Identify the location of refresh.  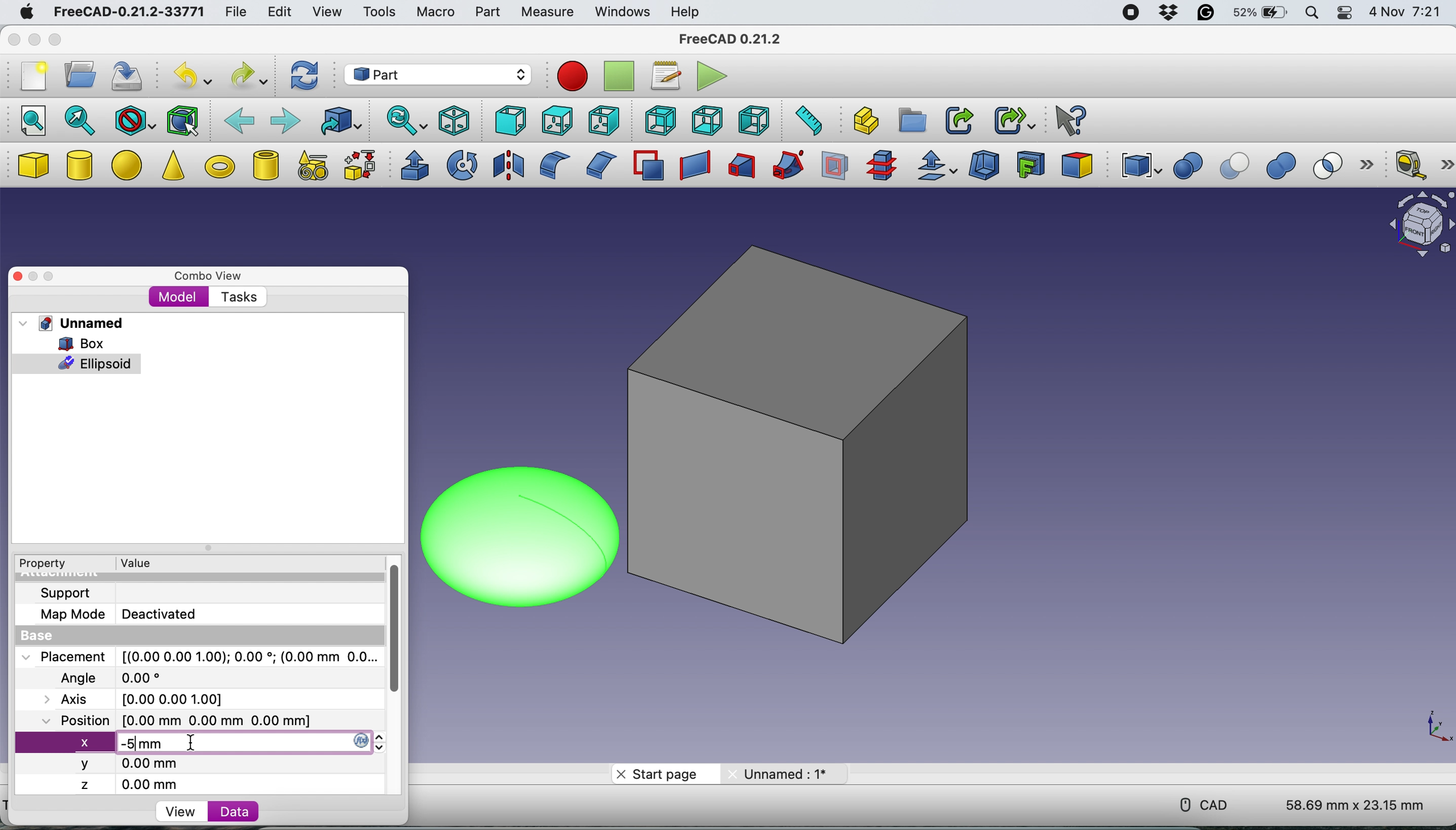
(304, 76).